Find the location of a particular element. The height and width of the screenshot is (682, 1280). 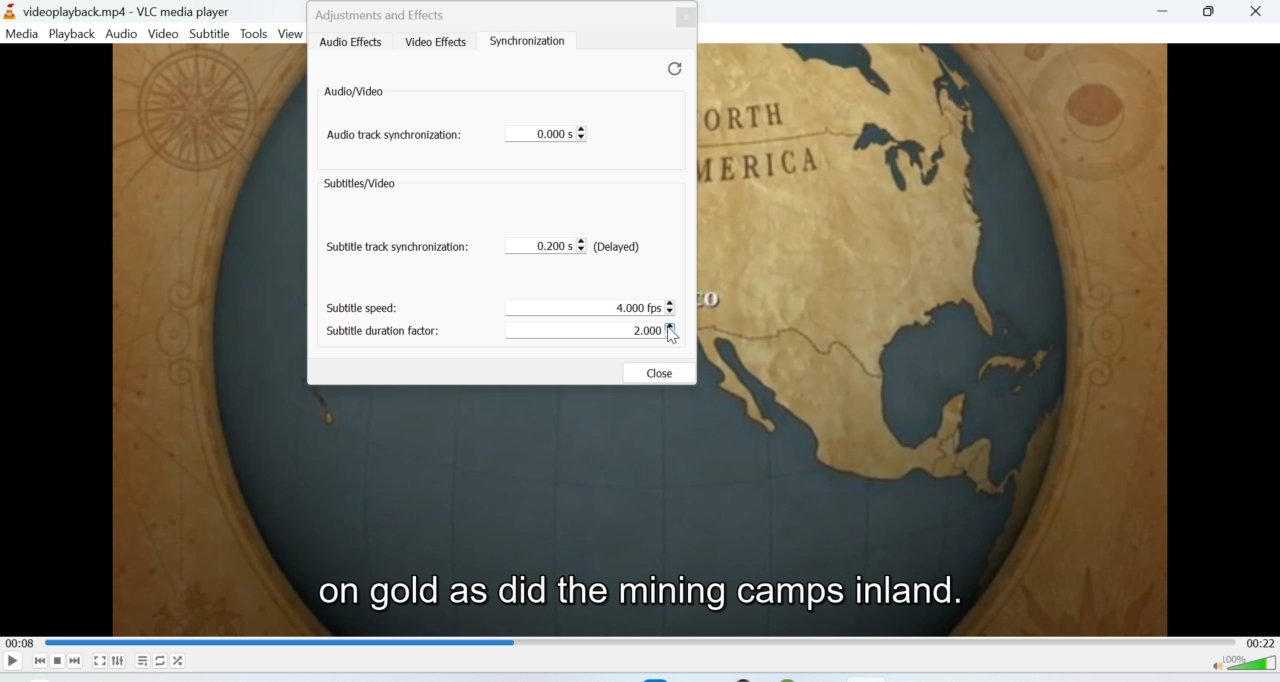

2.000 is located at coordinates (594, 331).